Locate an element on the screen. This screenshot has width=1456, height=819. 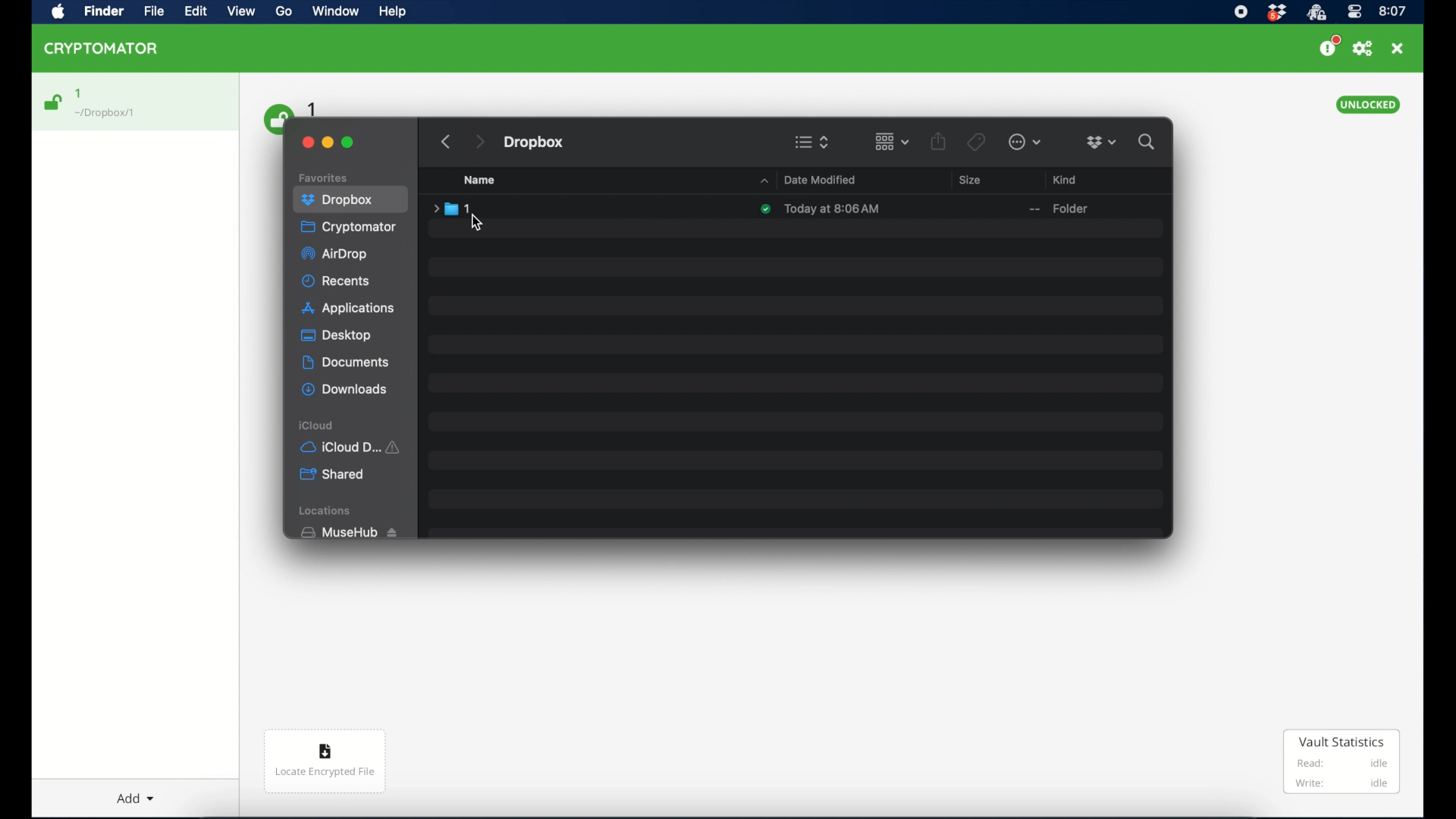
more options is located at coordinates (1025, 142).